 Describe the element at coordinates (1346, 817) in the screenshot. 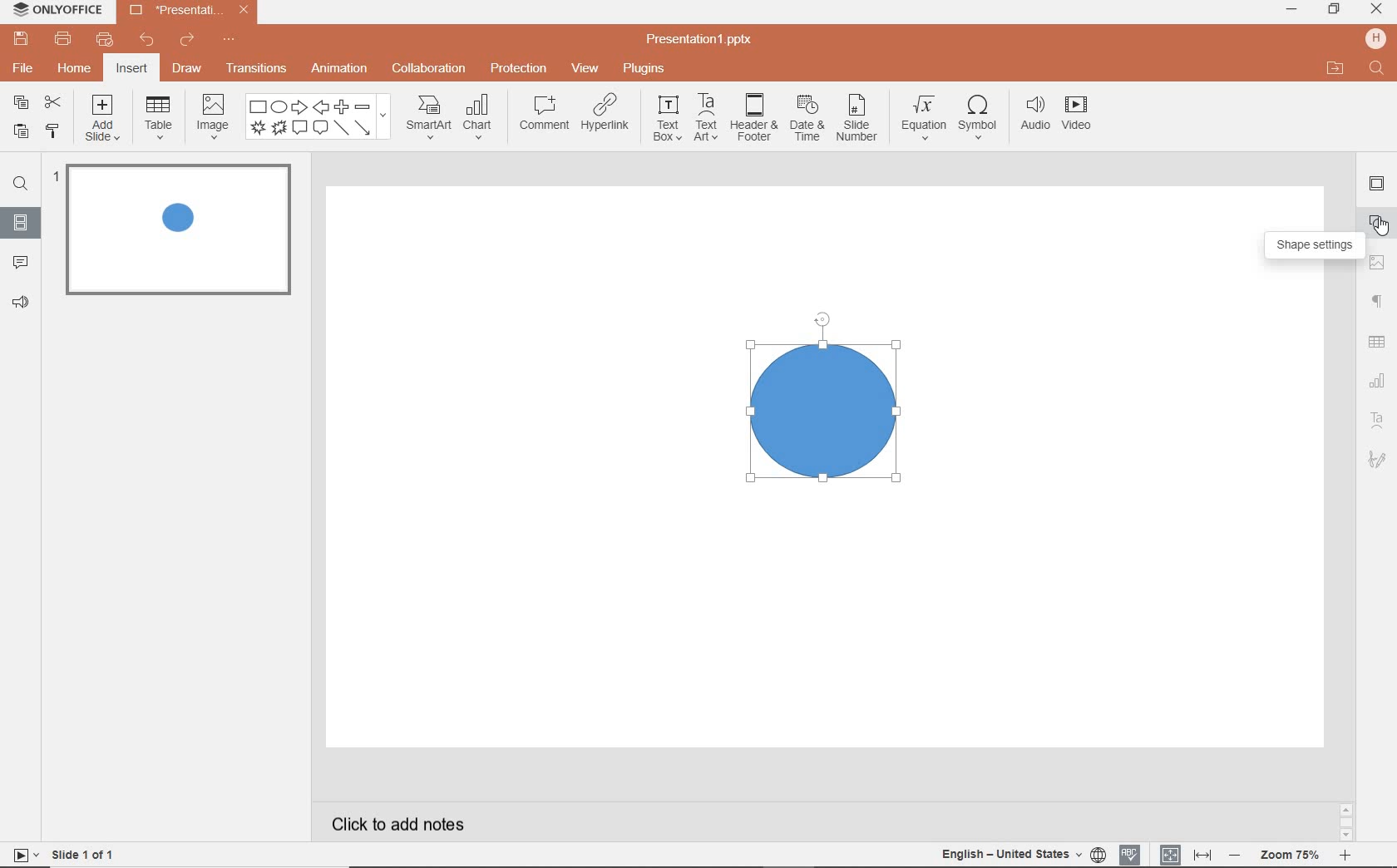

I see `scrollbar` at that location.